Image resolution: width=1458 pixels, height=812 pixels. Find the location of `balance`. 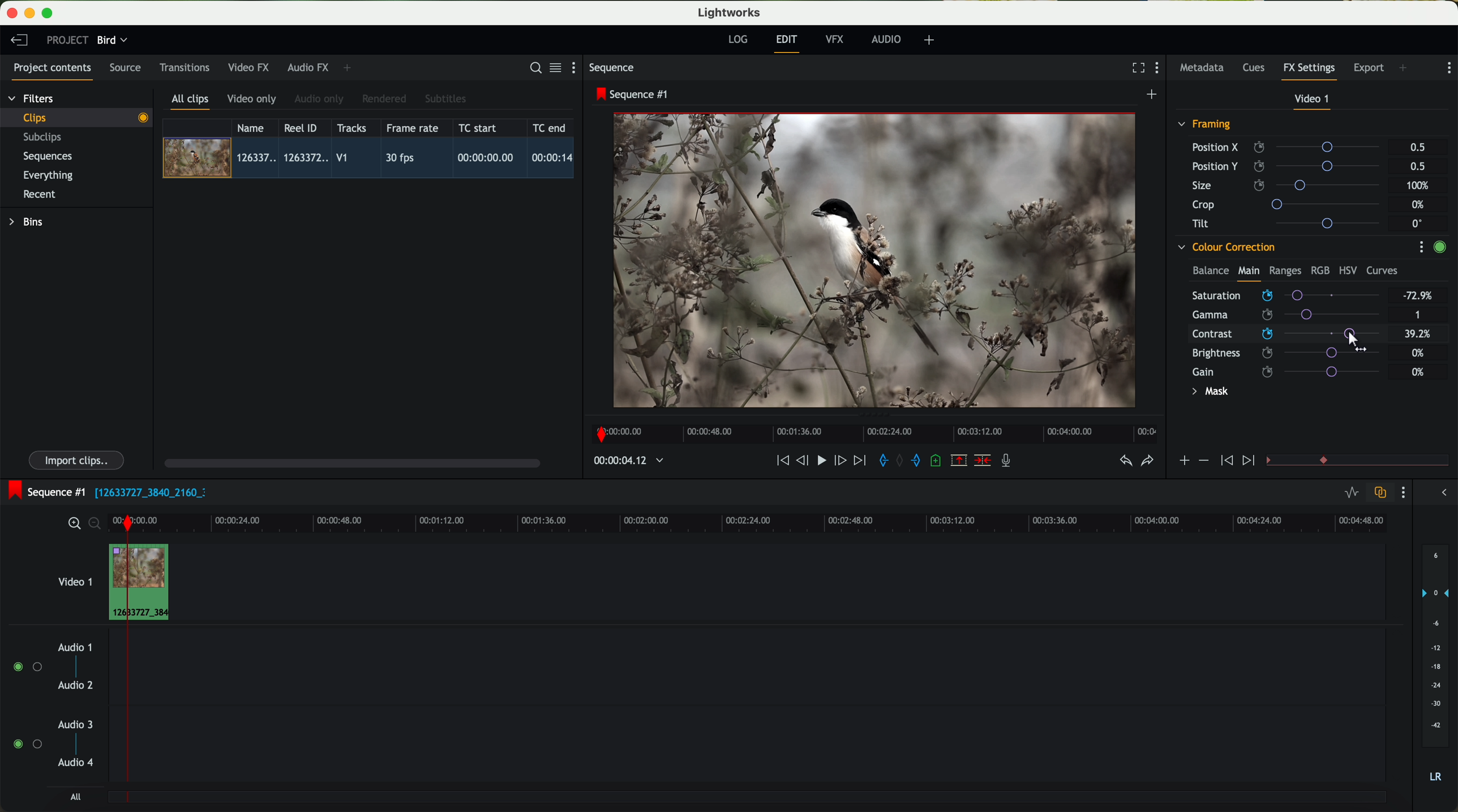

balance is located at coordinates (1211, 272).